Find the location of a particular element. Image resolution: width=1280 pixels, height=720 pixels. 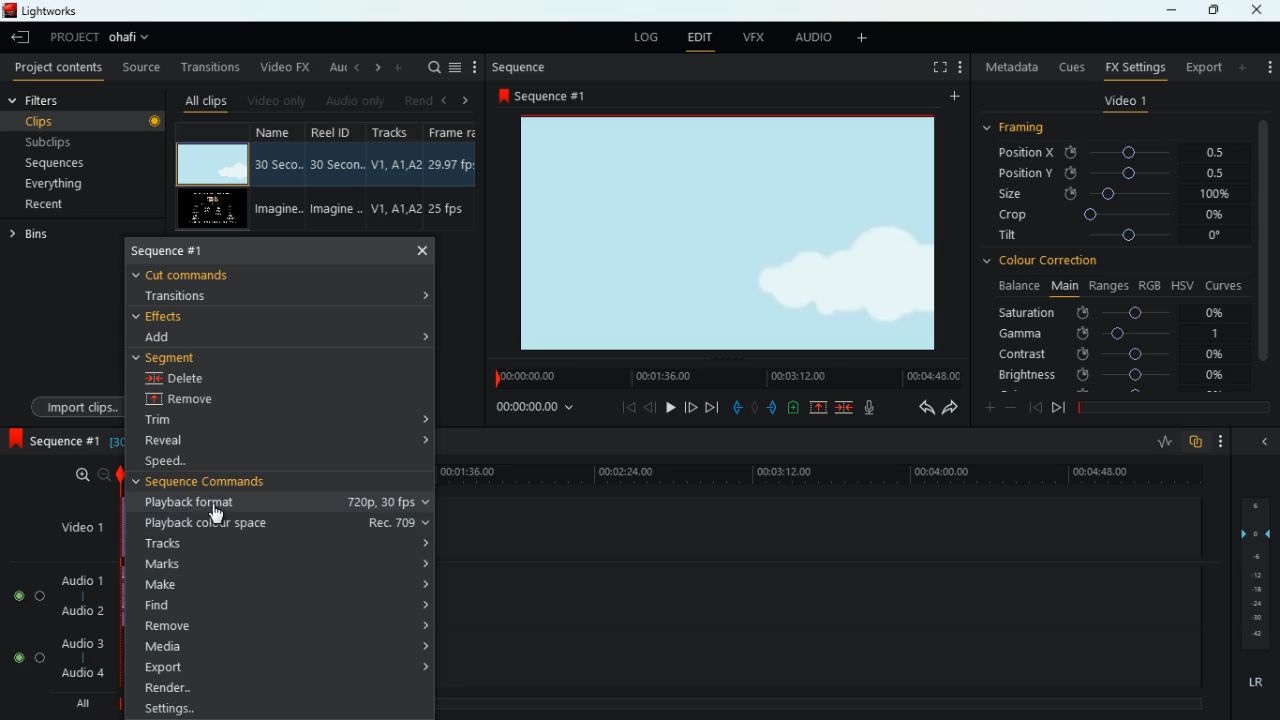

marks is located at coordinates (287, 564).